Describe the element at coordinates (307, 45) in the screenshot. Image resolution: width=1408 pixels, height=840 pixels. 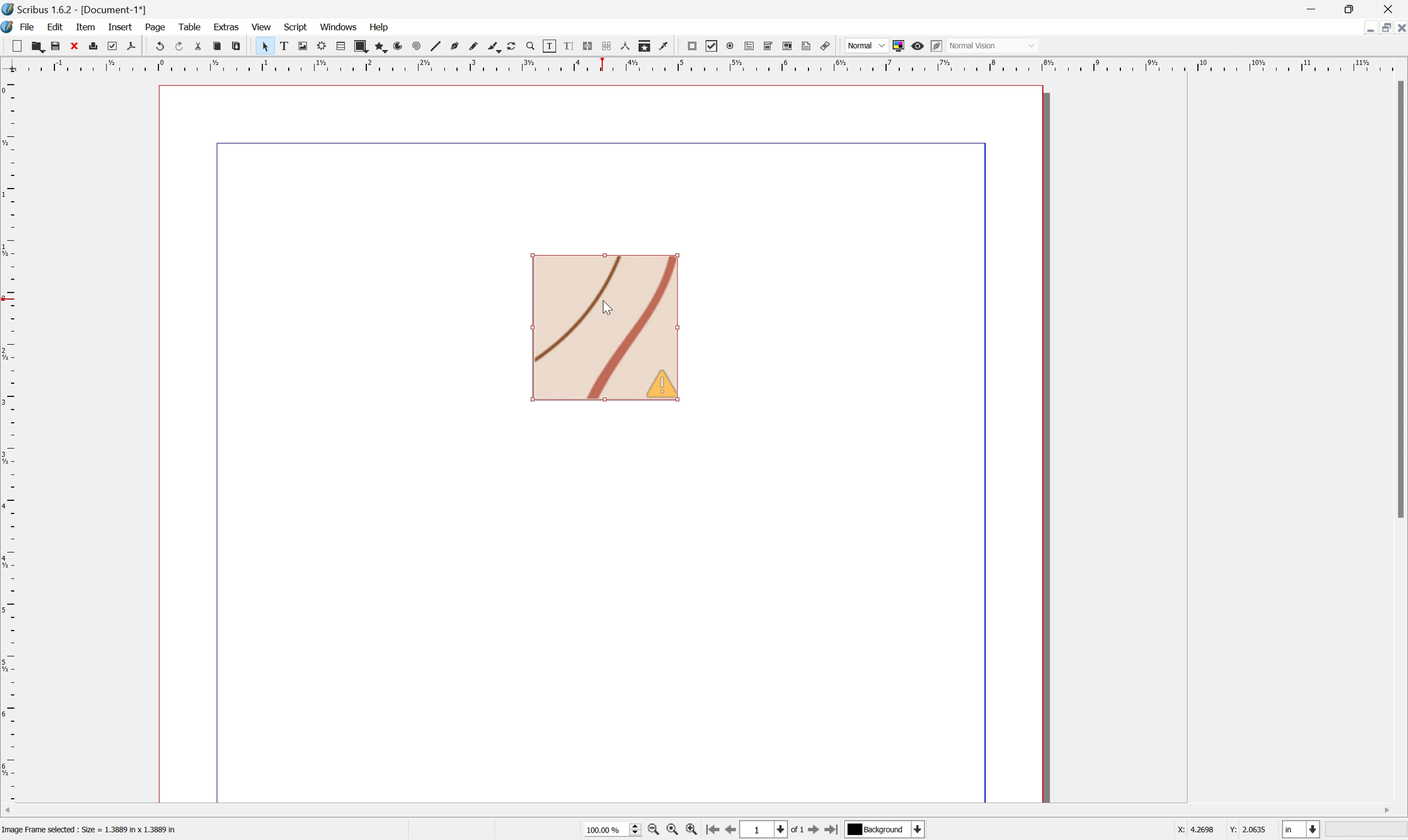
I see `Image frame` at that location.